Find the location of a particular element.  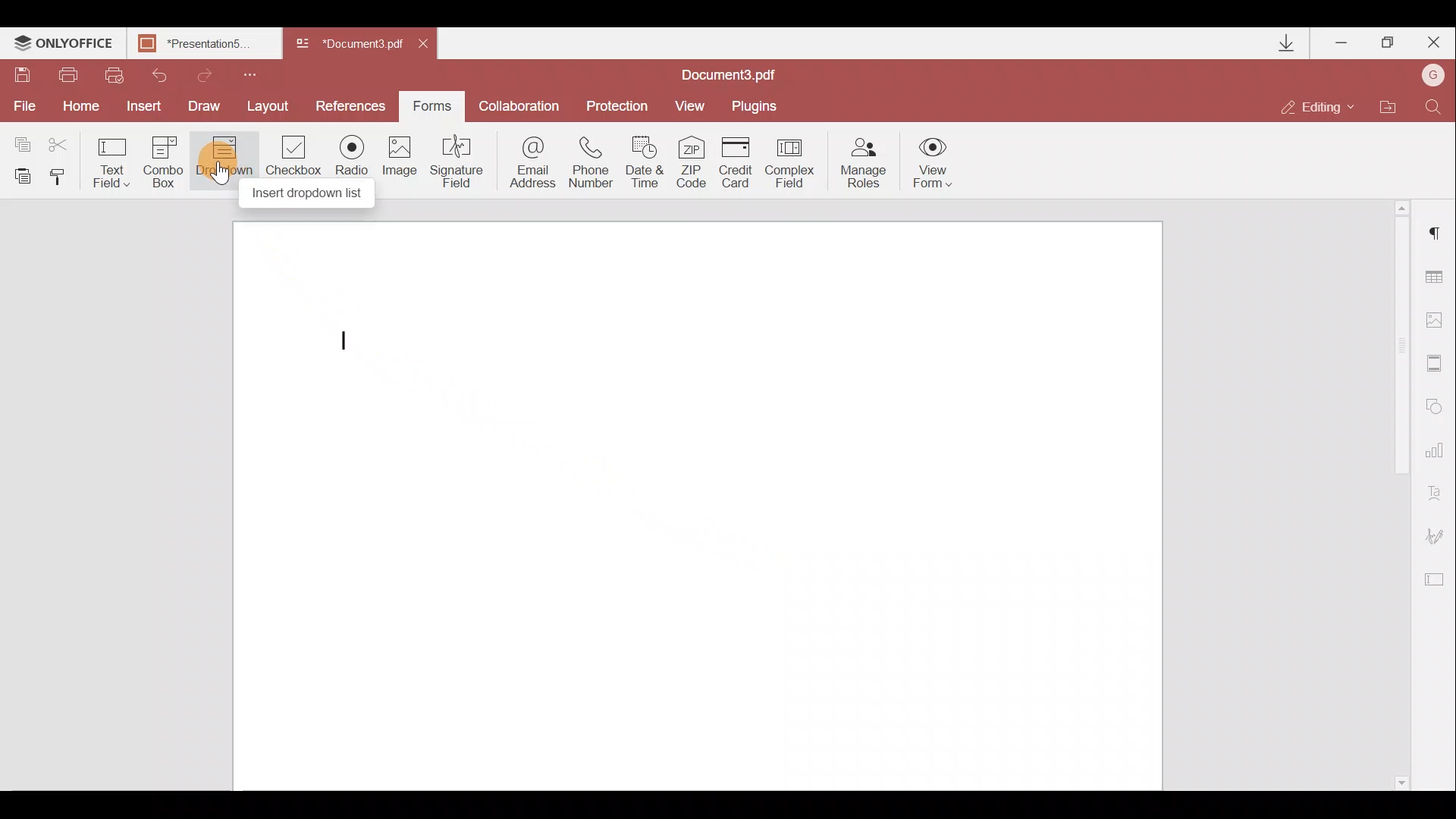

Signature field is located at coordinates (459, 165).